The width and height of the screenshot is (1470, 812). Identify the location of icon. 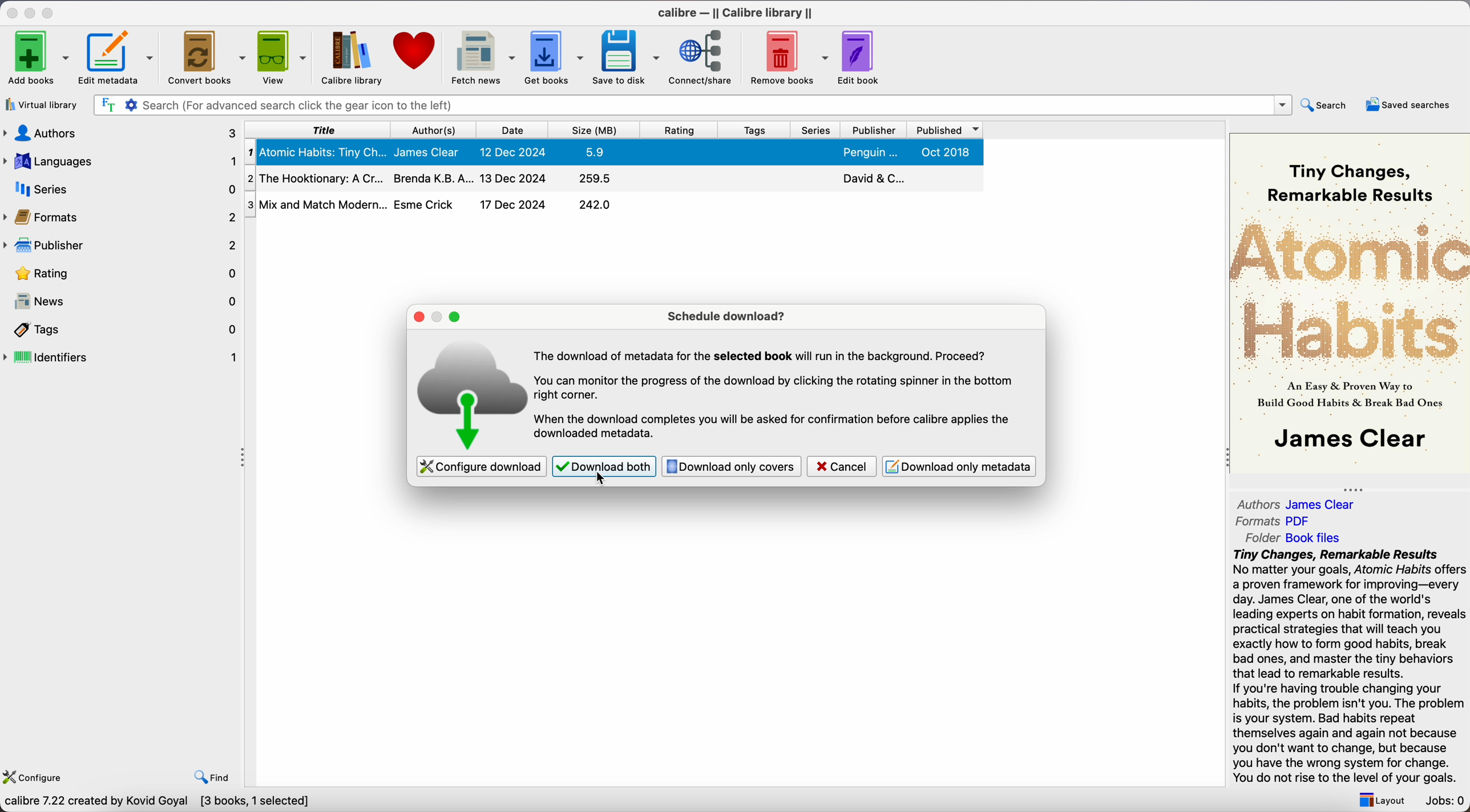
(474, 393).